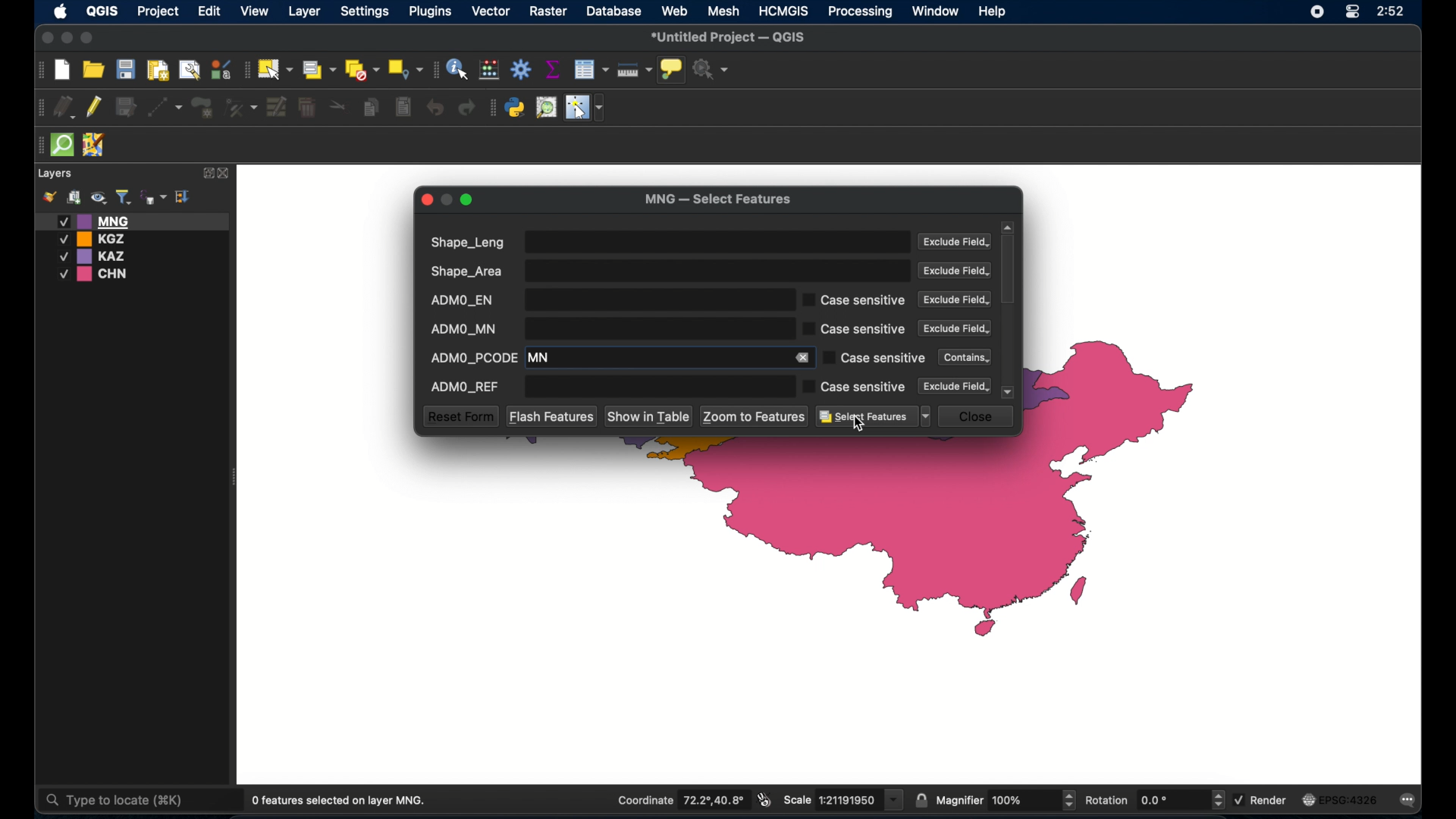 The image size is (1456, 819). I want to click on ADMO_PCODE, so click(473, 356).